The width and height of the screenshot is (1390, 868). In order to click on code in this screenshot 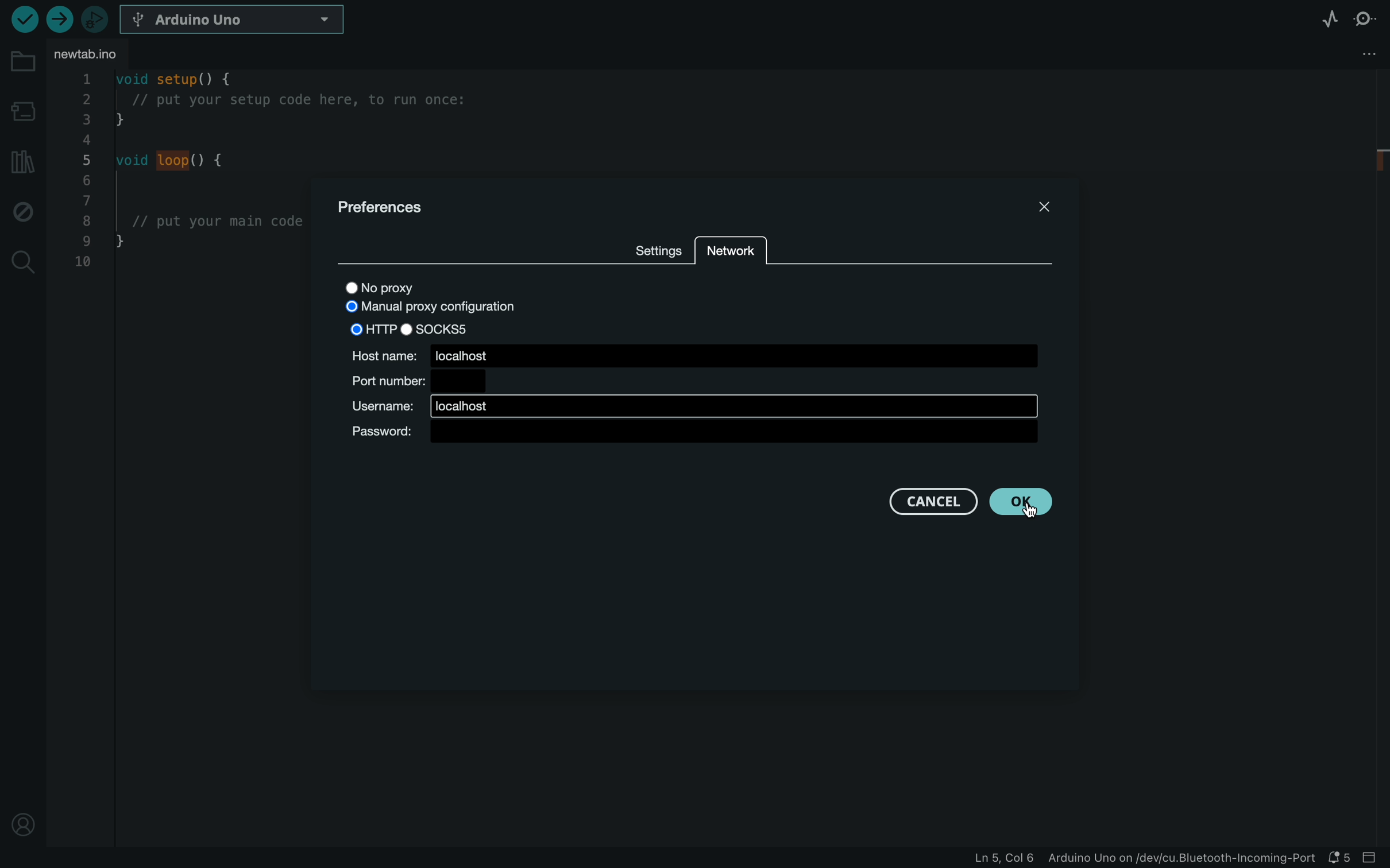, I will do `click(186, 203)`.